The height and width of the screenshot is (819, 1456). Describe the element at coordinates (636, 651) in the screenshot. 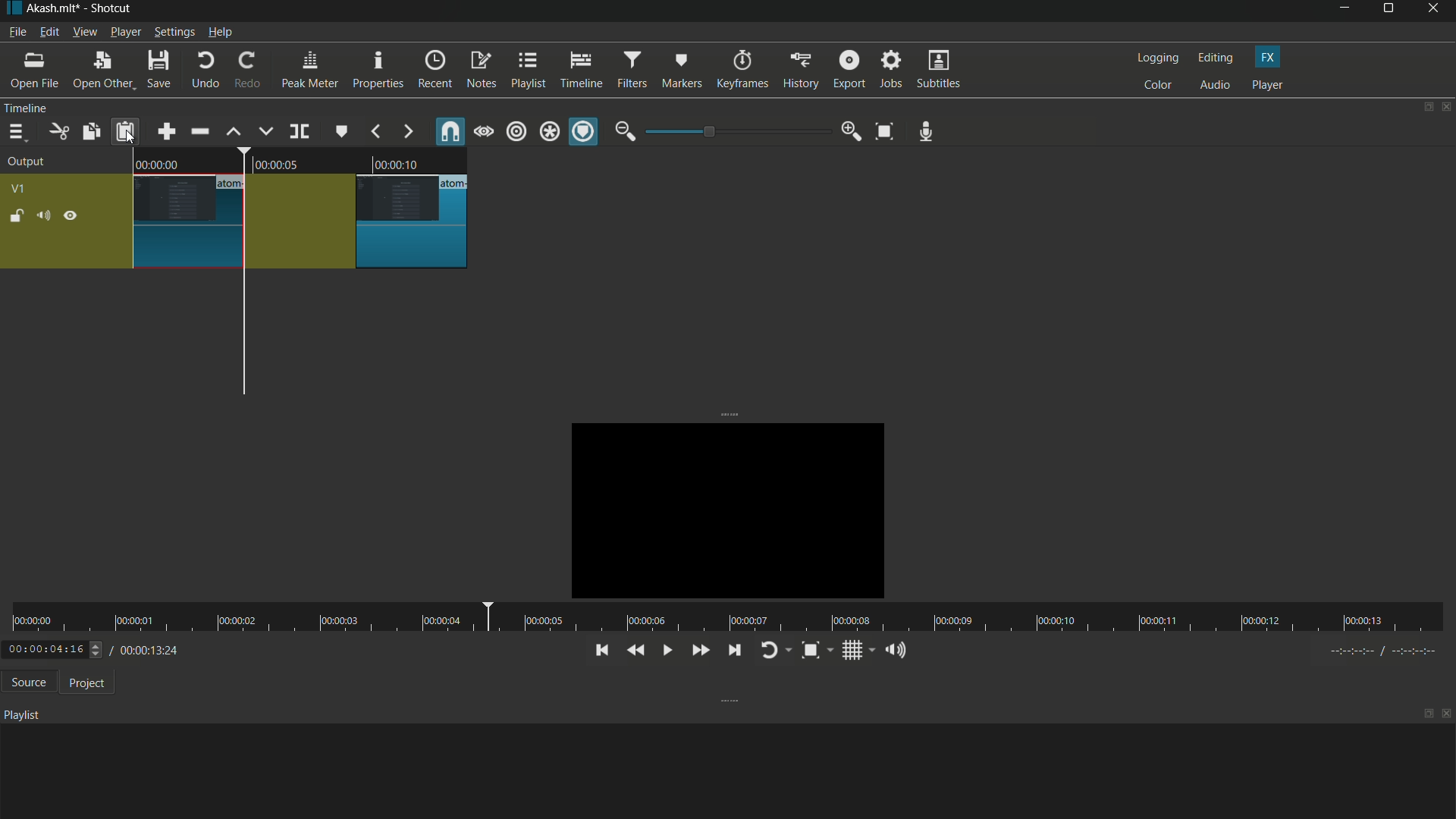

I see `quickly play backward` at that location.